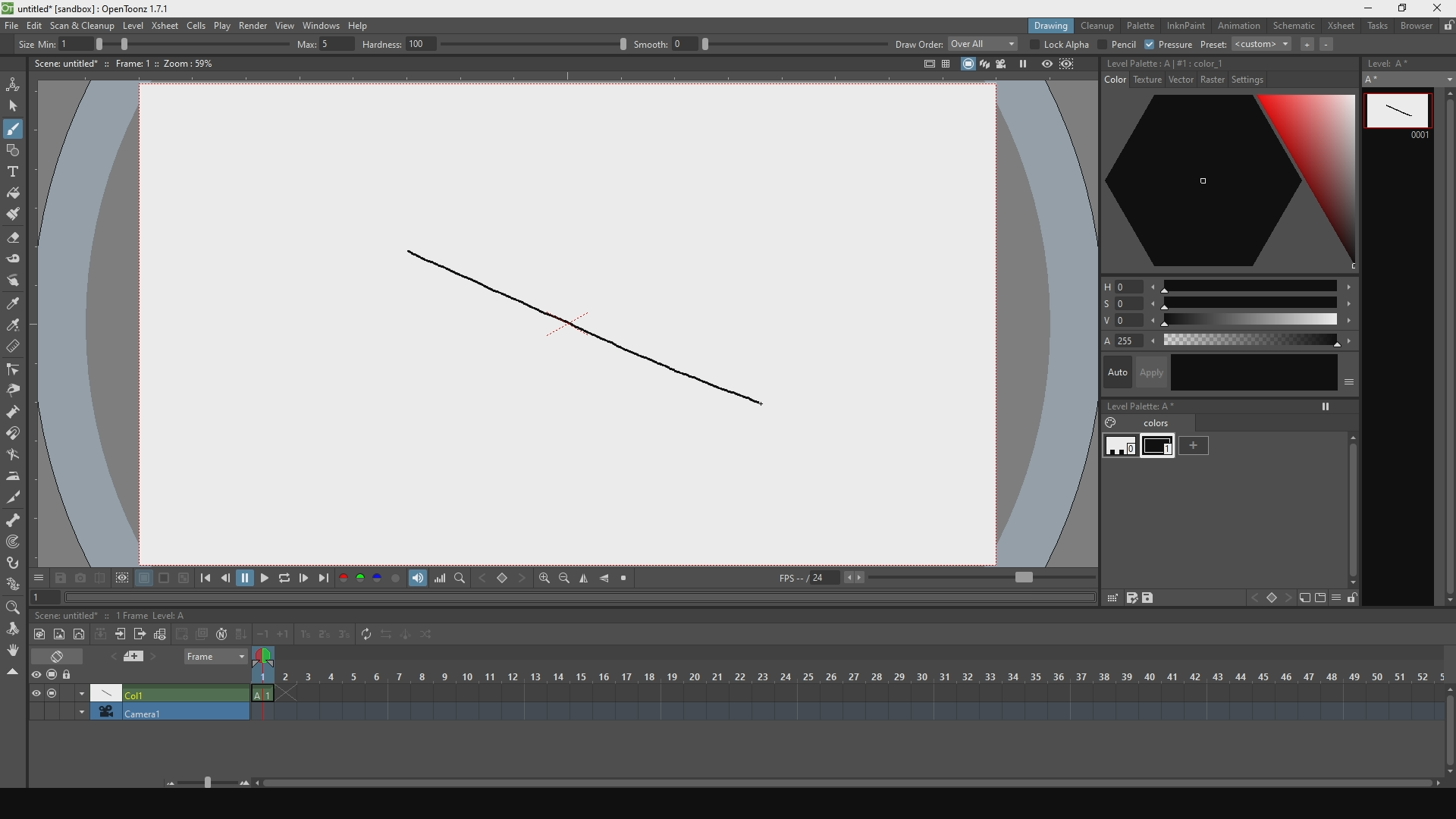 The width and height of the screenshot is (1456, 819). Describe the element at coordinates (15, 391) in the screenshot. I see `pinch` at that location.